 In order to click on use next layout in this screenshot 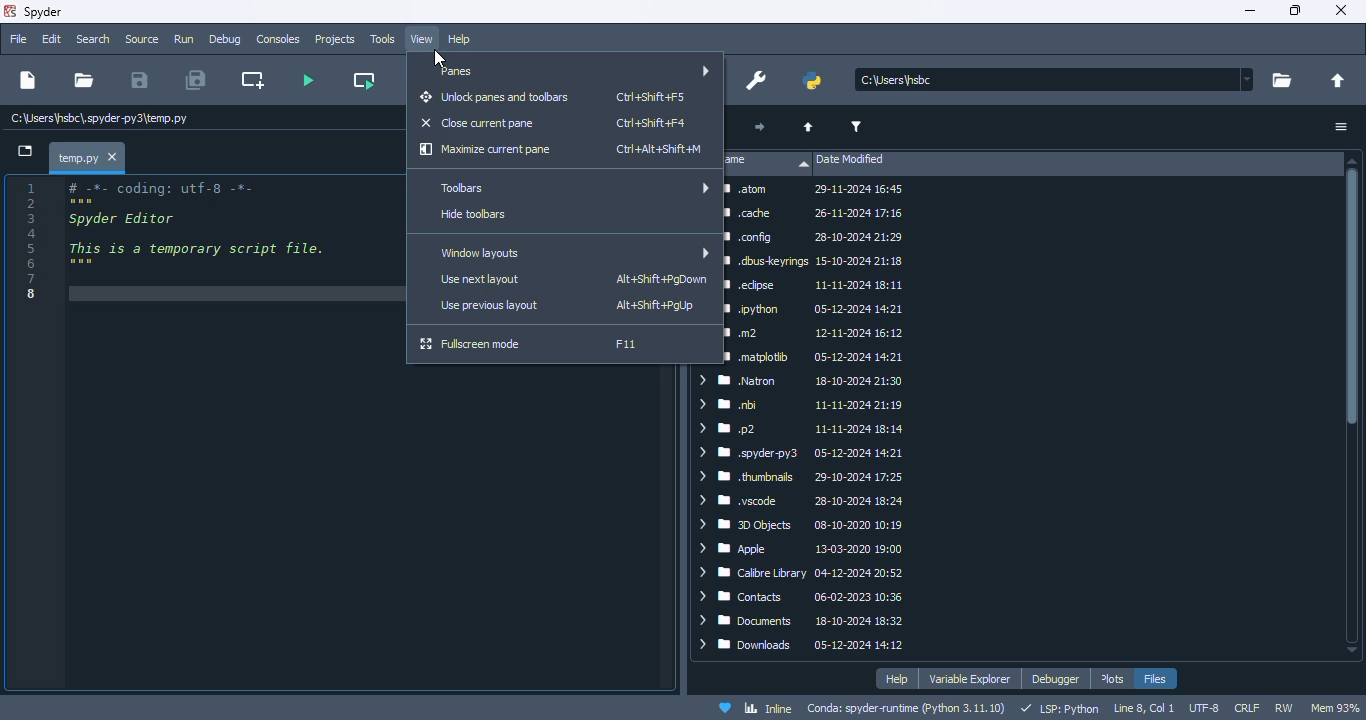, I will do `click(482, 280)`.